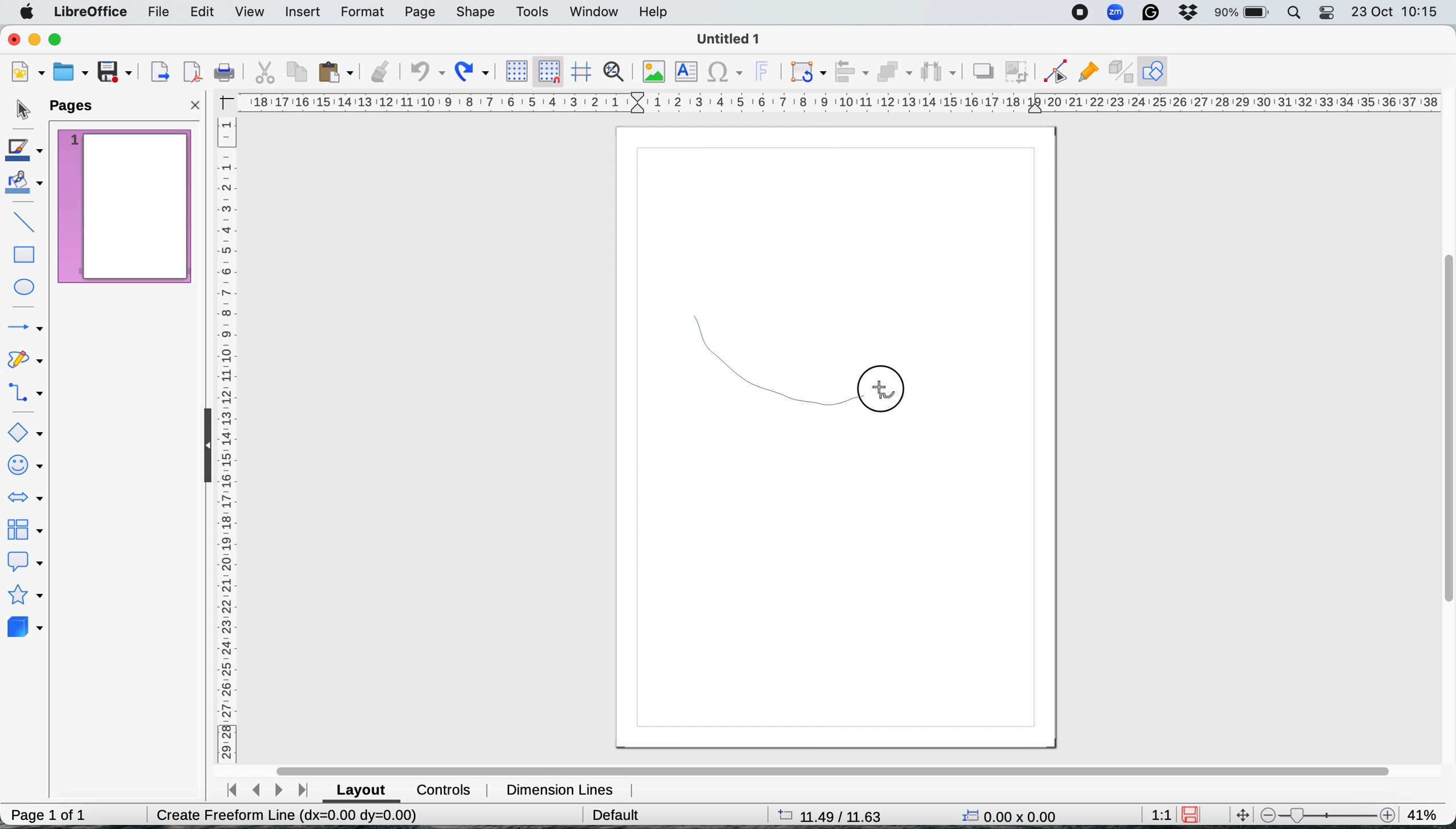 The height and width of the screenshot is (829, 1456). What do you see at coordinates (118, 72) in the screenshot?
I see `save` at bounding box center [118, 72].